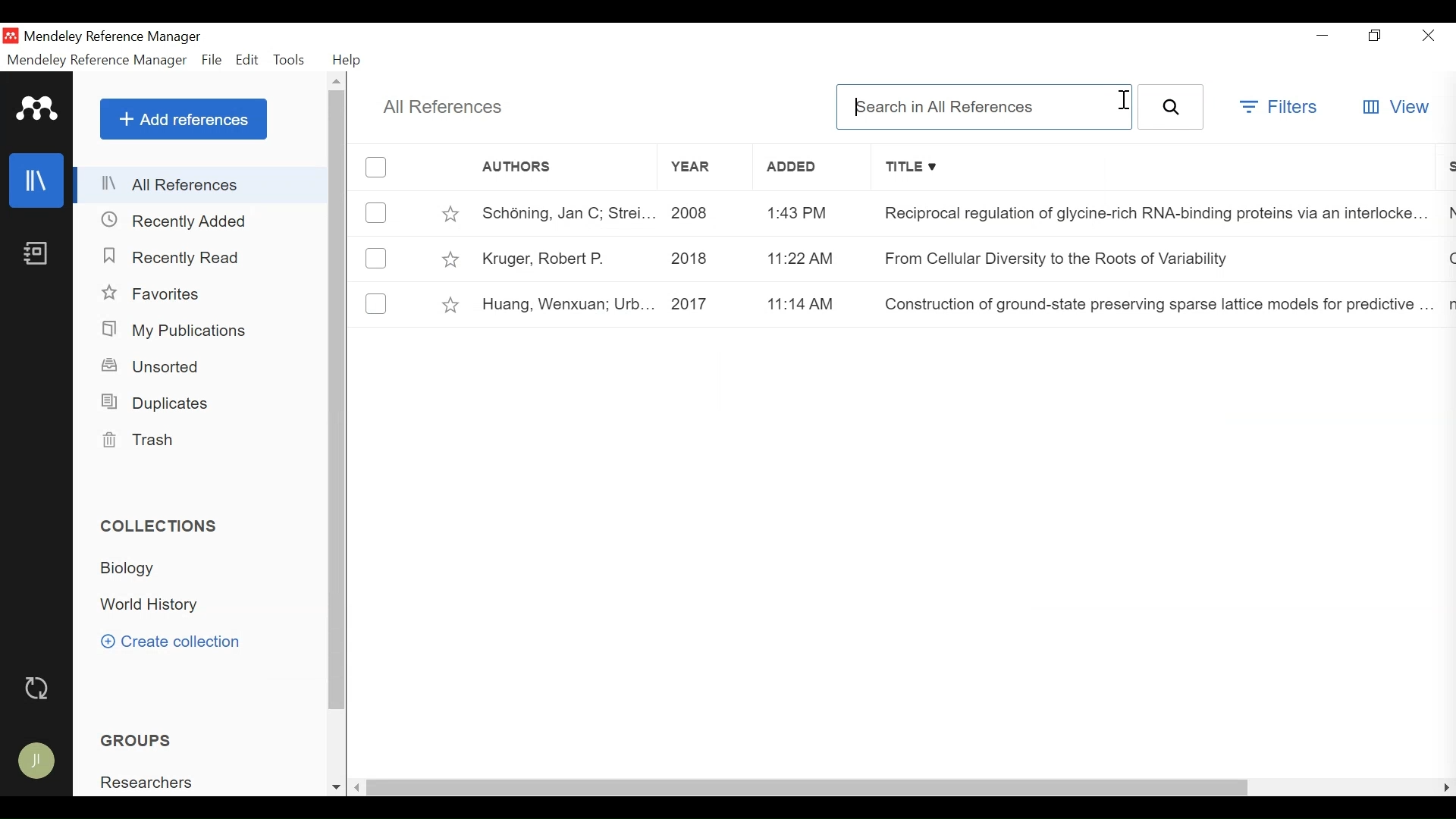 The height and width of the screenshot is (819, 1456). I want to click on Tools, so click(292, 61).